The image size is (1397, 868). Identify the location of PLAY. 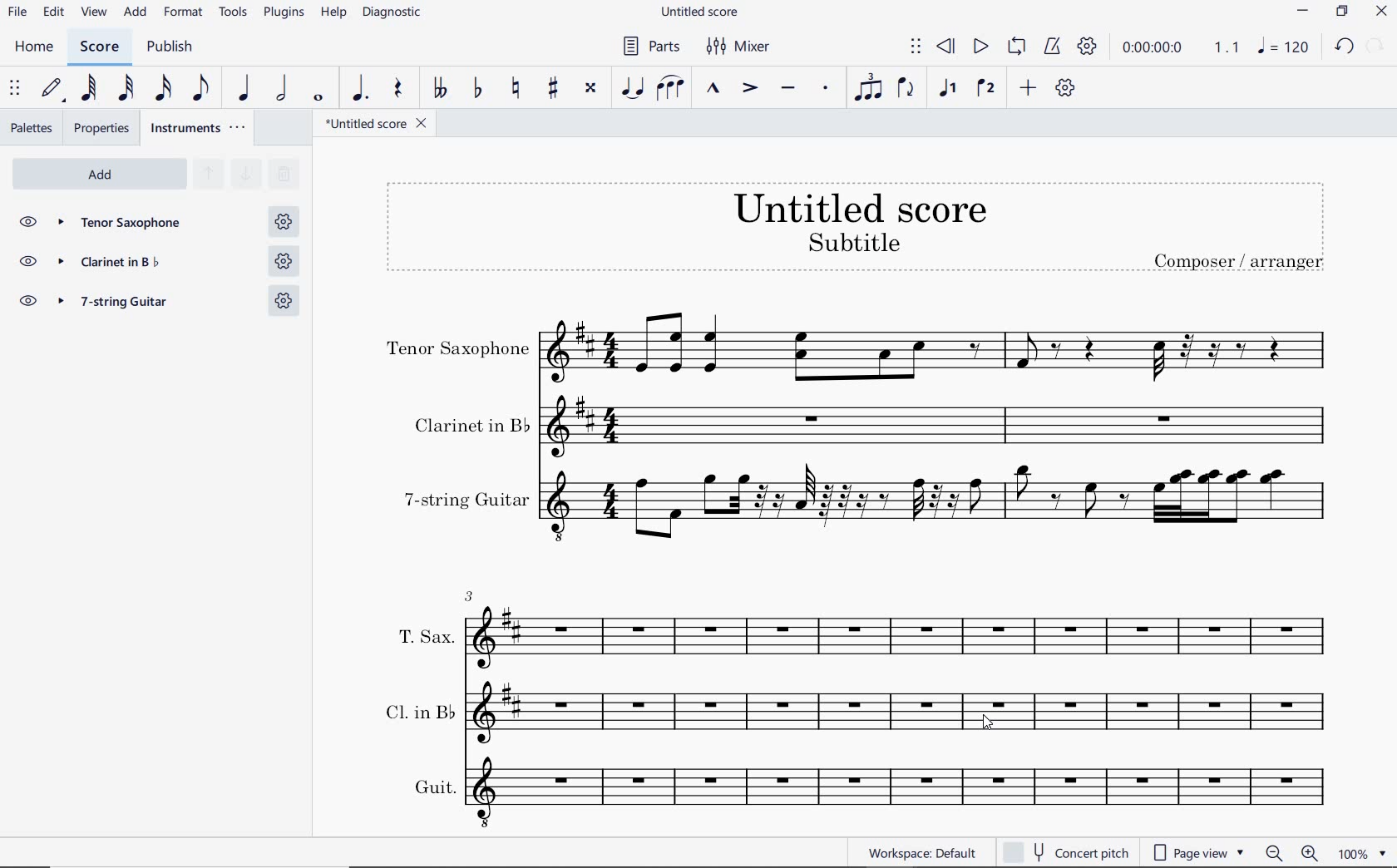
(978, 47).